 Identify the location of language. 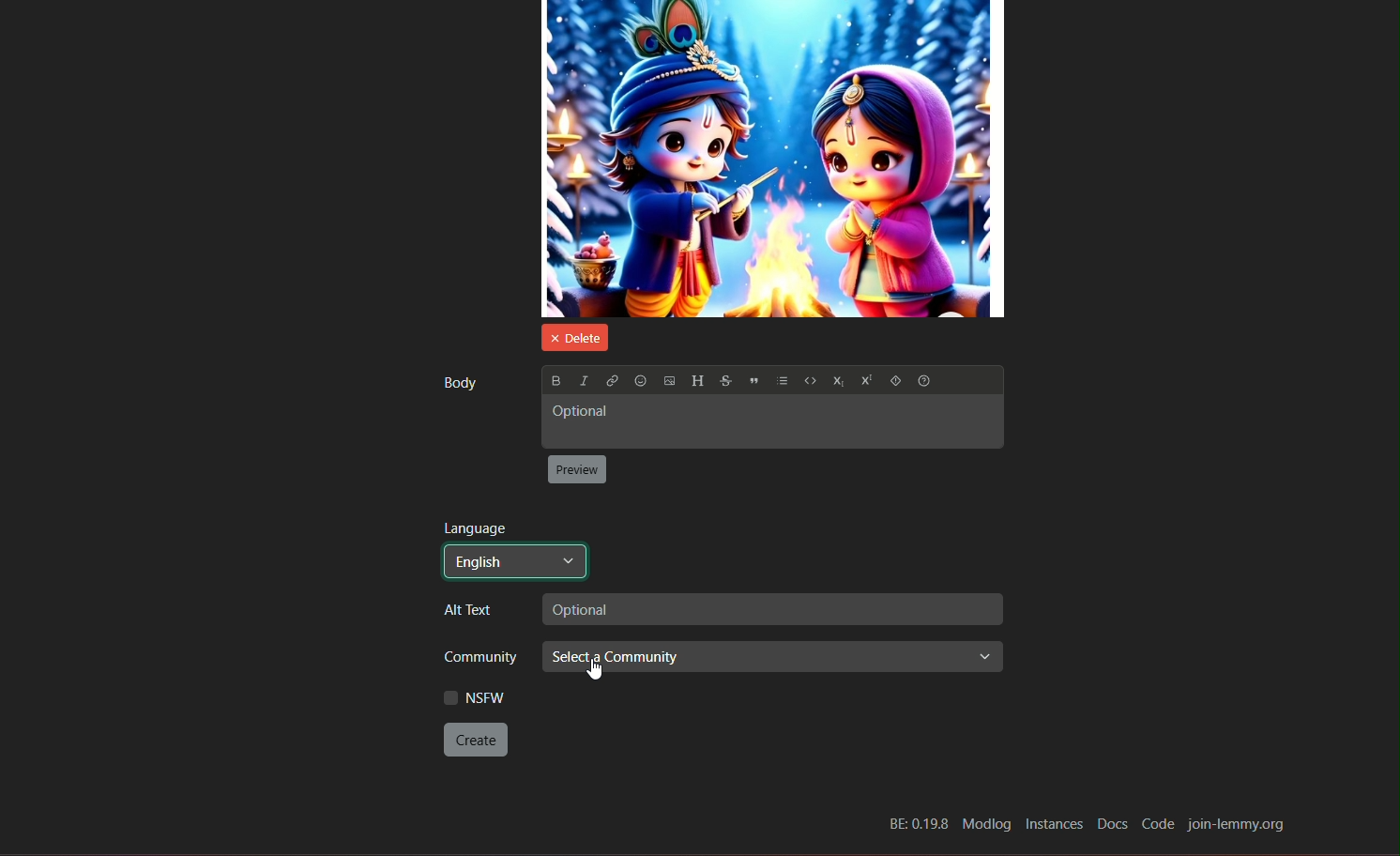
(476, 527).